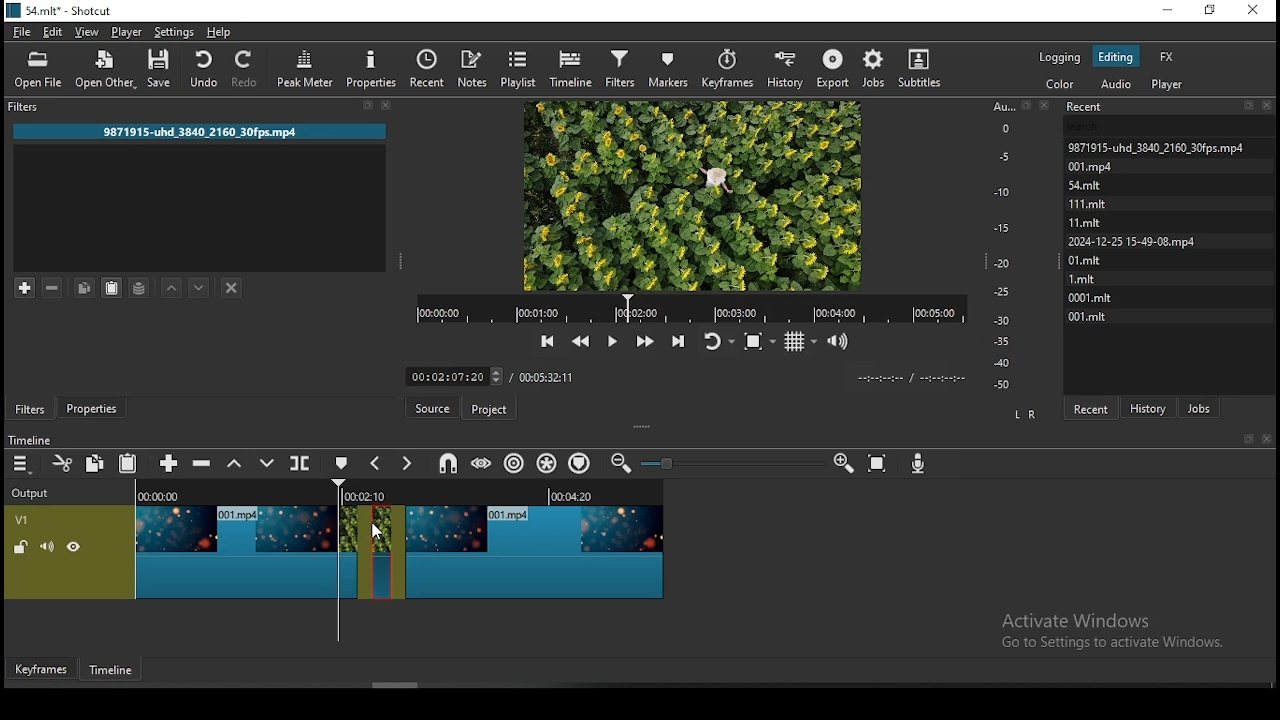 The width and height of the screenshot is (1280, 720). What do you see at coordinates (43, 669) in the screenshot?
I see `keyframe` at bounding box center [43, 669].